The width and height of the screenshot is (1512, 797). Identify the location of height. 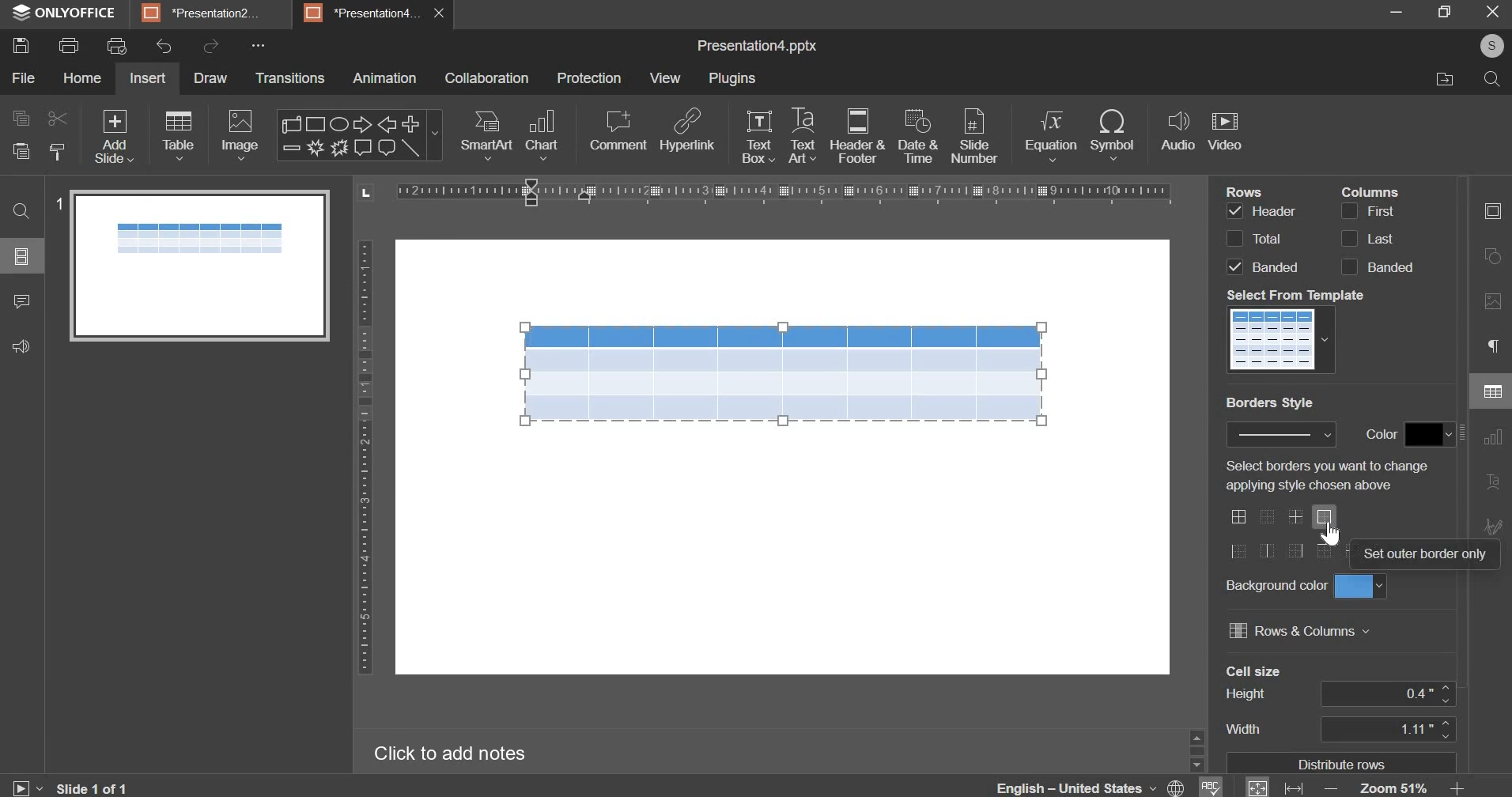
(1244, 694).